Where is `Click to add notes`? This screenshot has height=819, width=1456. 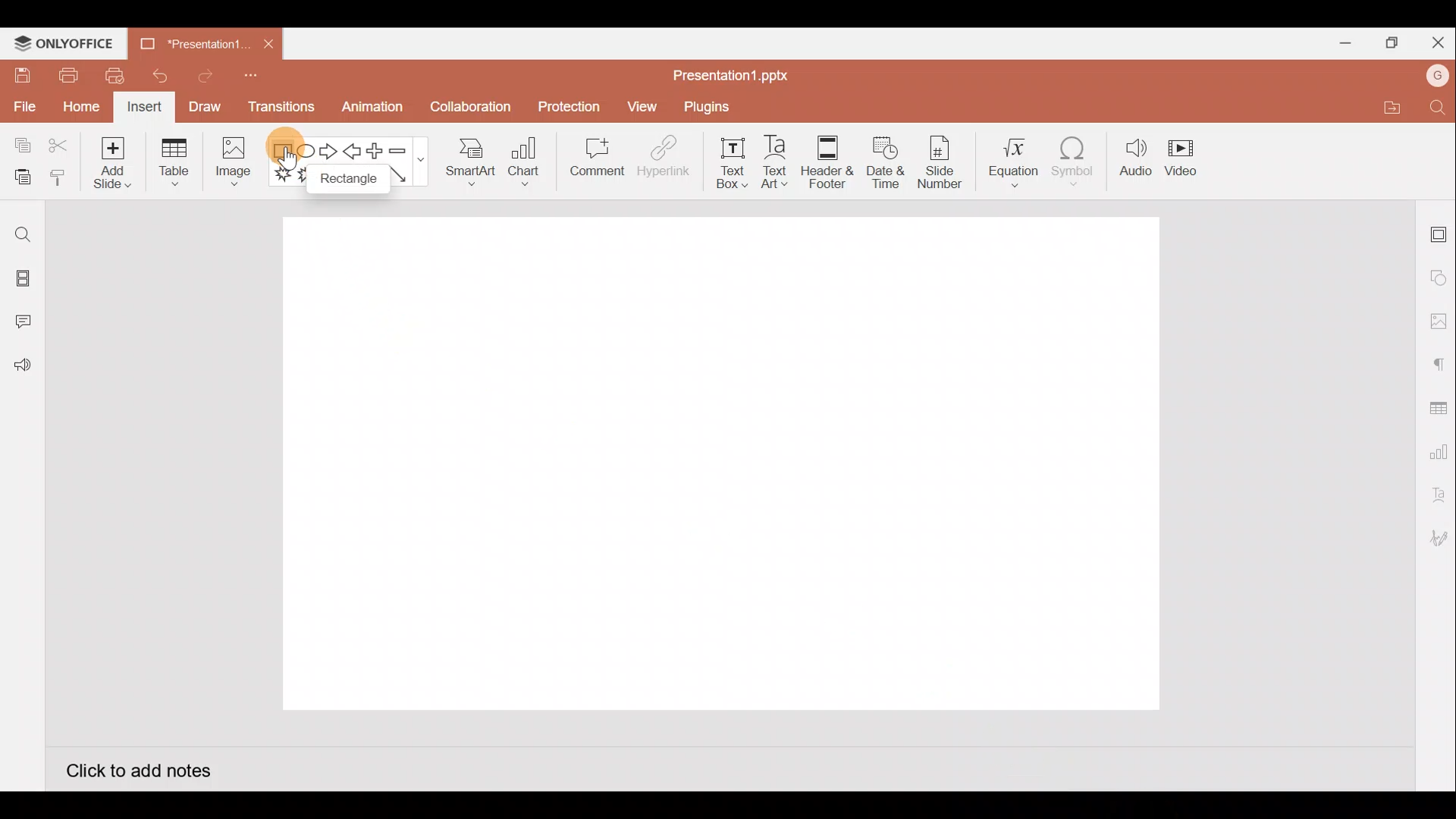 Click to add notes is located at coordinates (152, 769).